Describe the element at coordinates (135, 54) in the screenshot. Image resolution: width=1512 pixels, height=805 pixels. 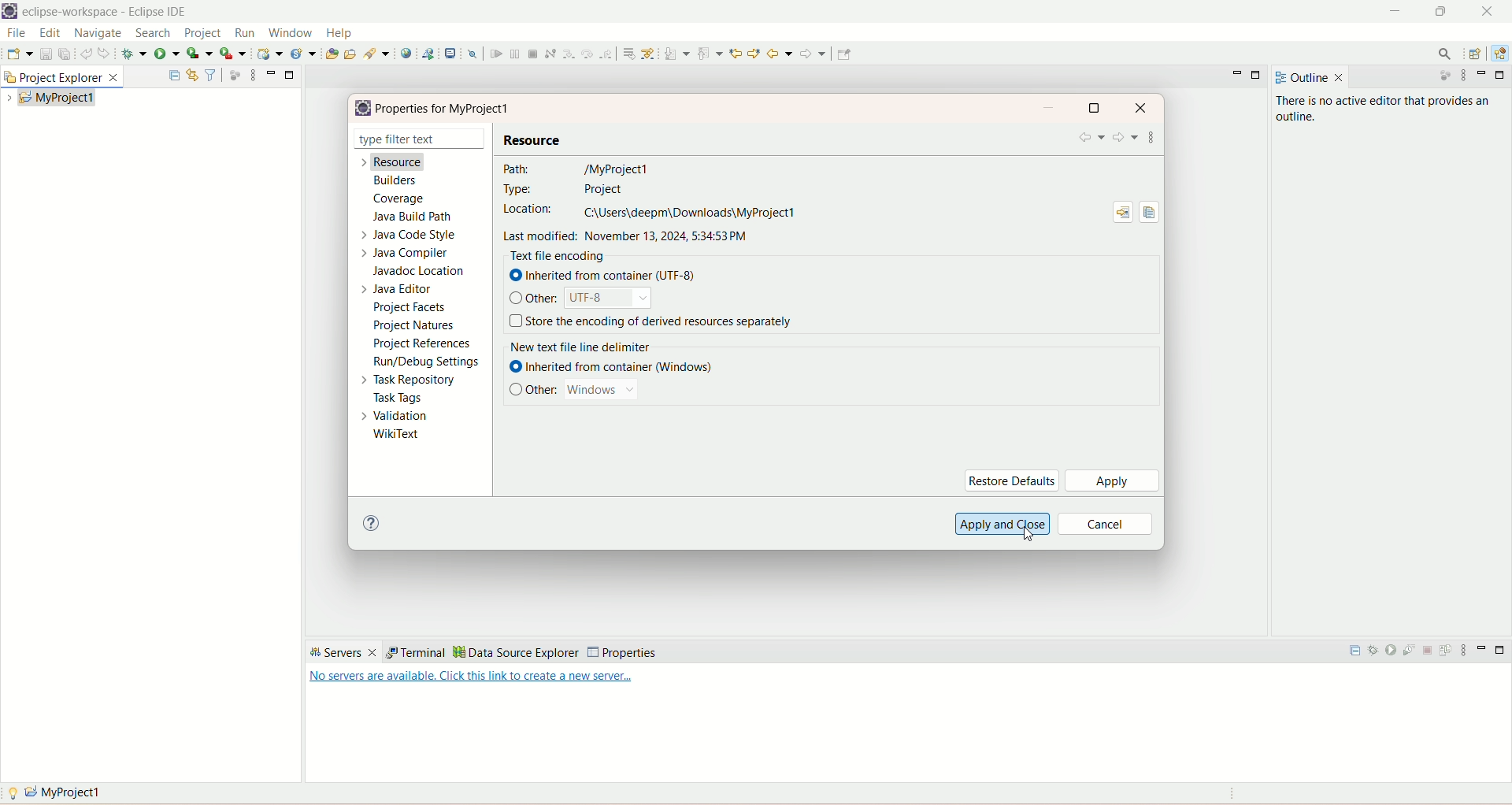
I see `debug` at that location.